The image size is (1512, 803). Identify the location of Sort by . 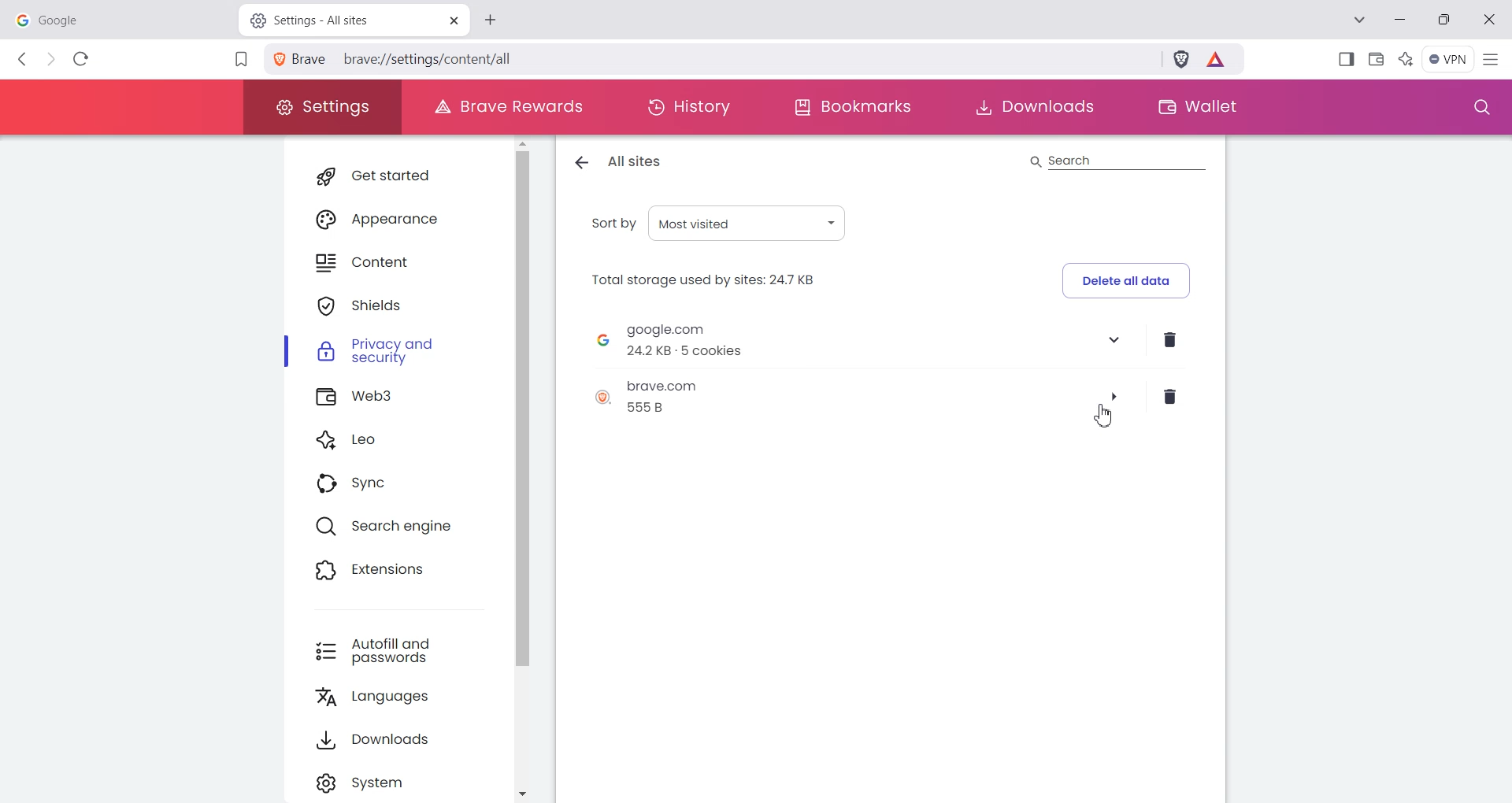
(721, 224).